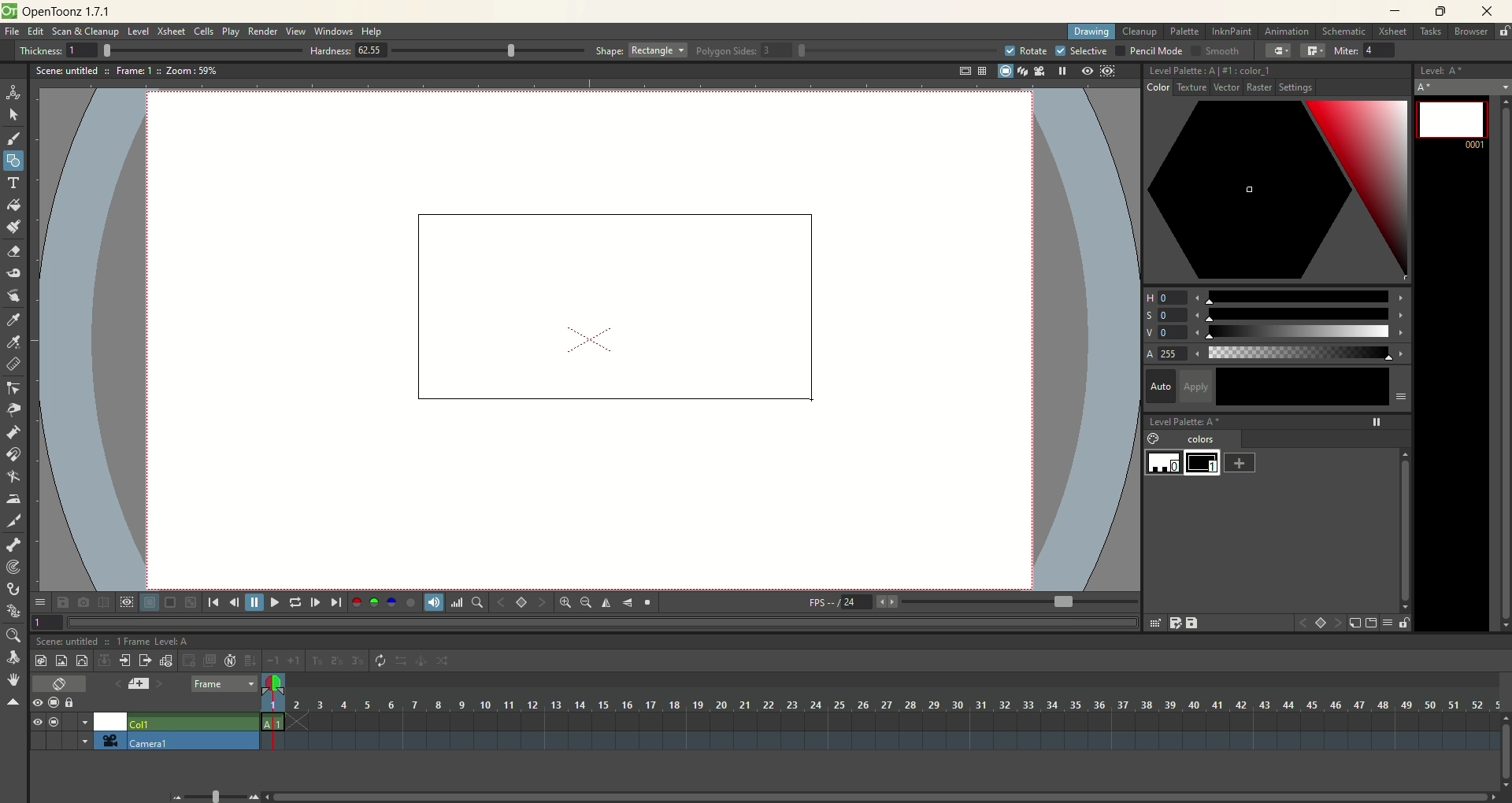 This screenshot has height=803, width=1512. I want to click on cutter, so click(16, 520).